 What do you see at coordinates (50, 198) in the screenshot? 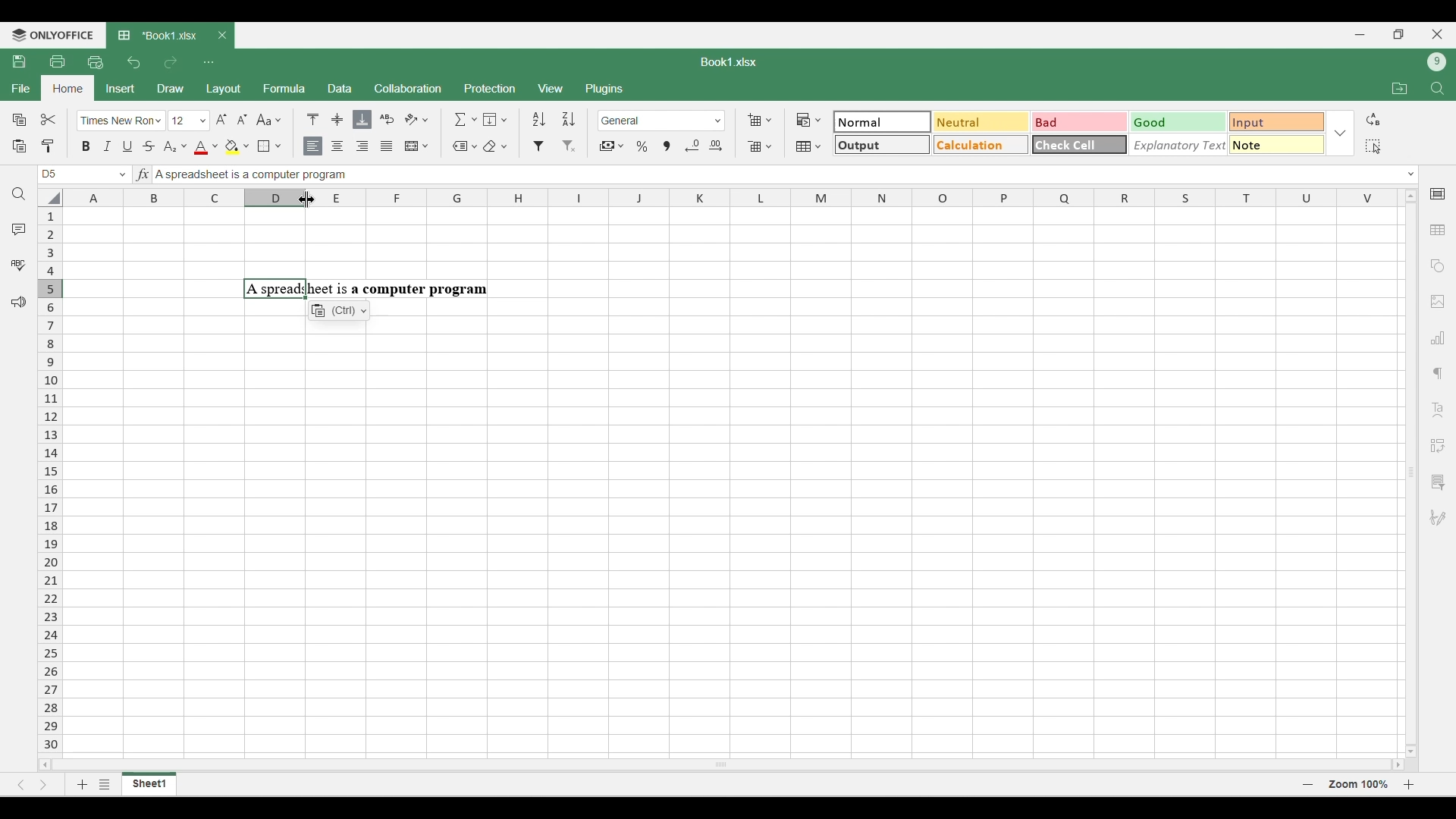
I see `Select all column and rows` at bounding box center [50, 198].